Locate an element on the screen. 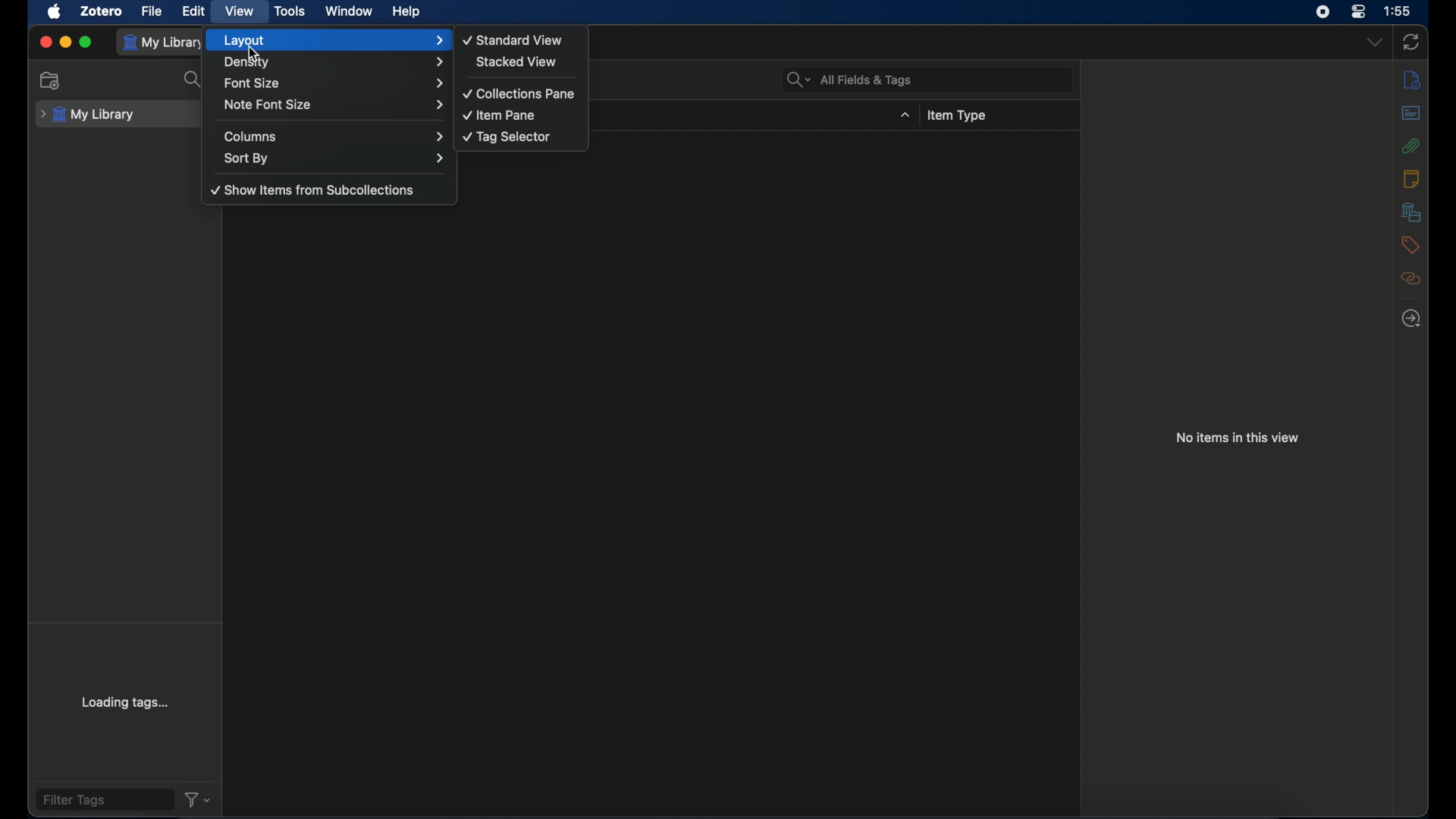  screen recorder is located at coordinates (1323, 12).